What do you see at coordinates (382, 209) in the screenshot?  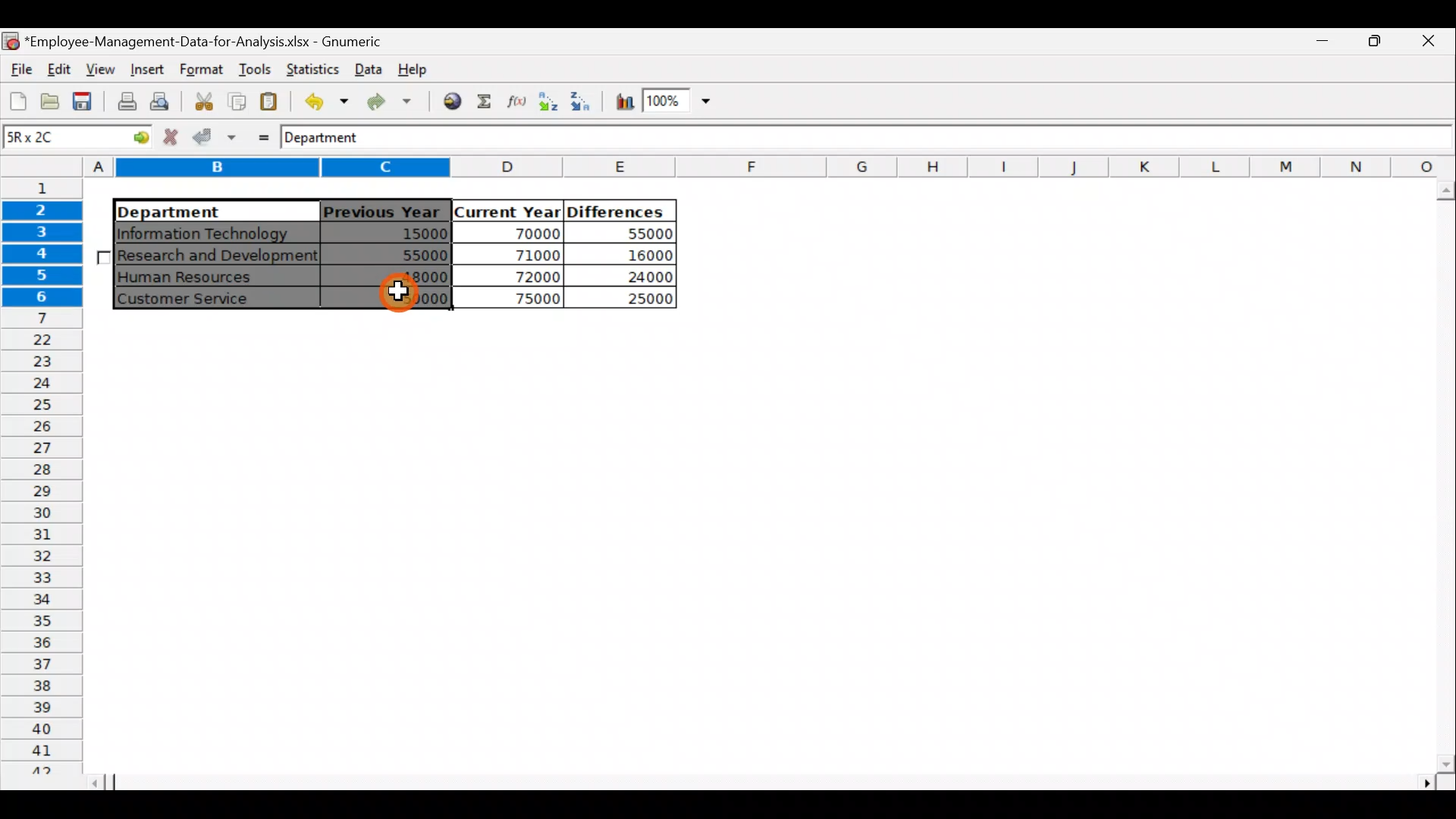 I see `Previous Year` at bounding box center [382, 209].